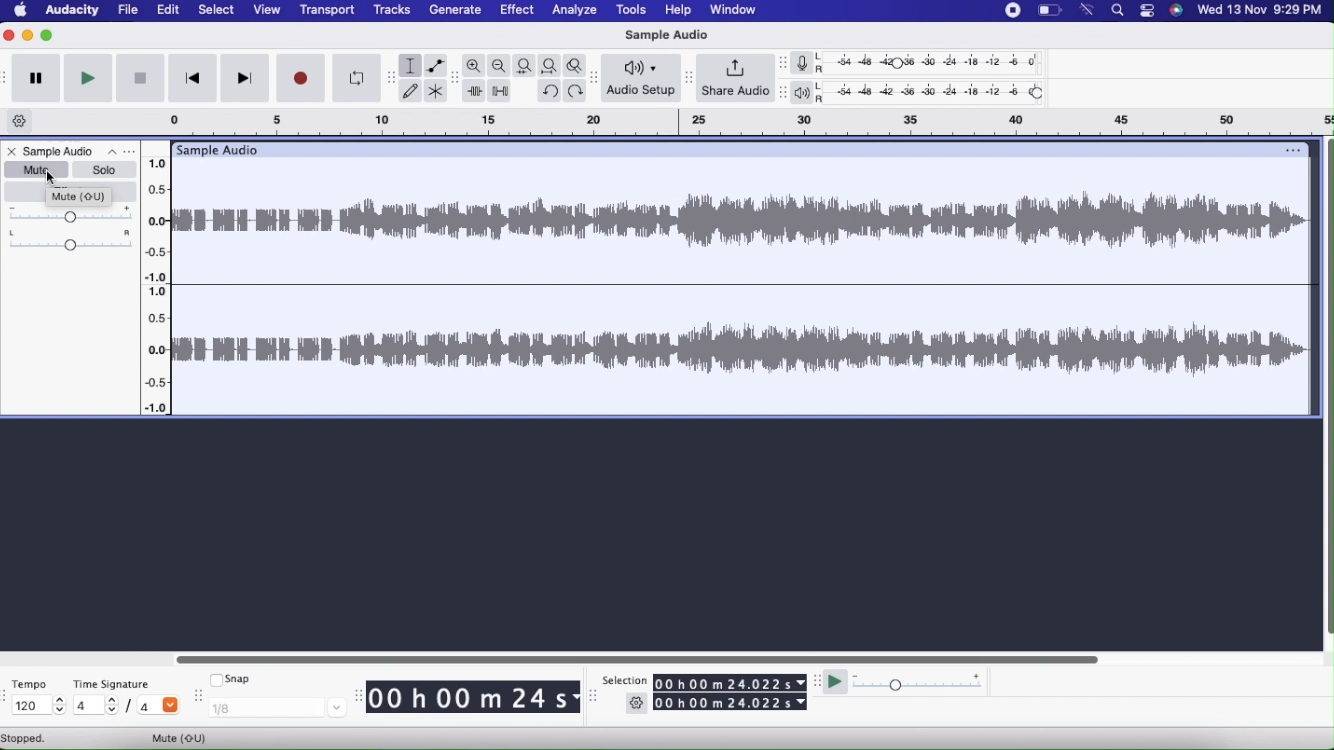  Describe the element at coordinates (474, 698) in the screenshot. I see `00 h 00 m 24 s` at that location.